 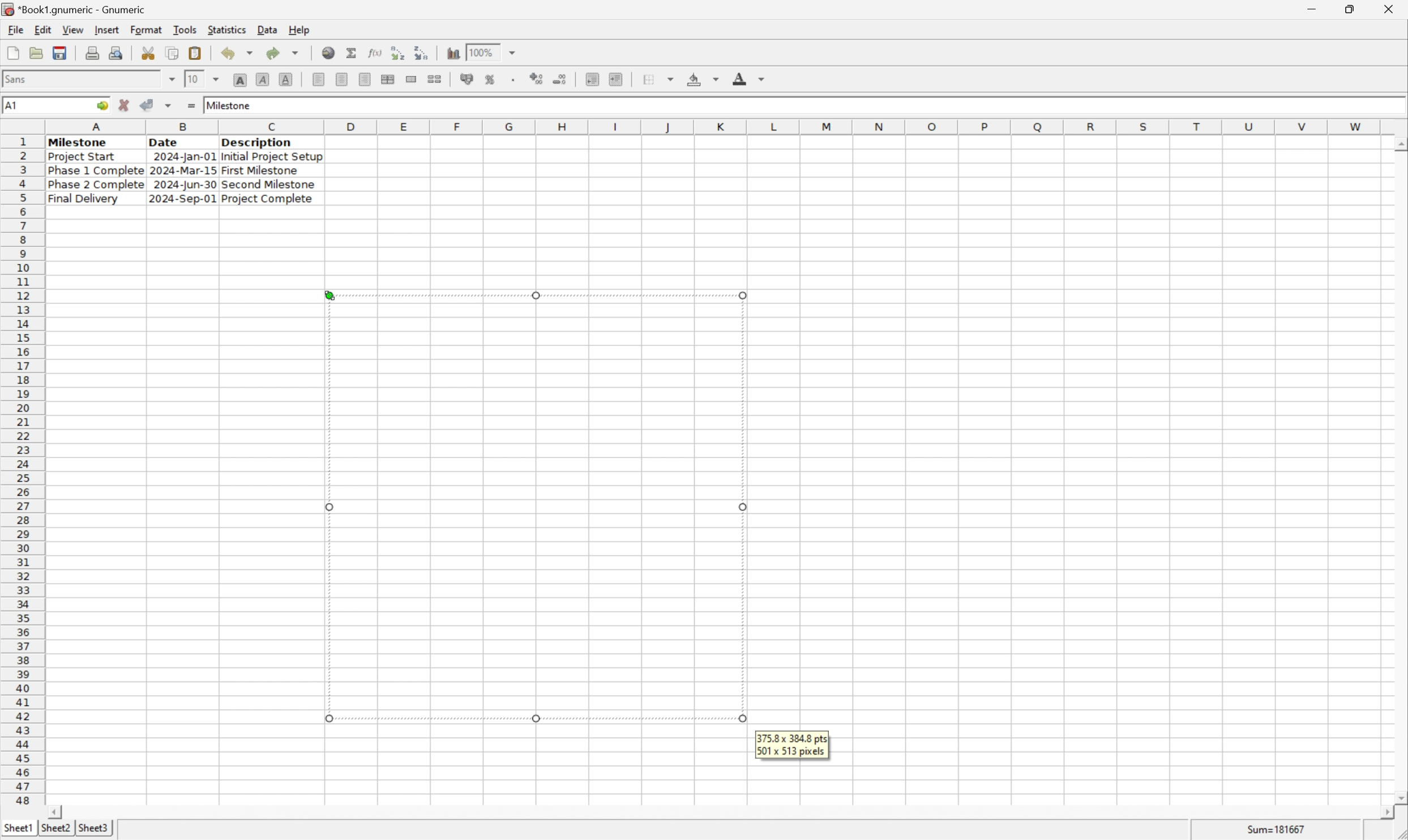 I want to click on save current workbook, so click(x=60, y=54).